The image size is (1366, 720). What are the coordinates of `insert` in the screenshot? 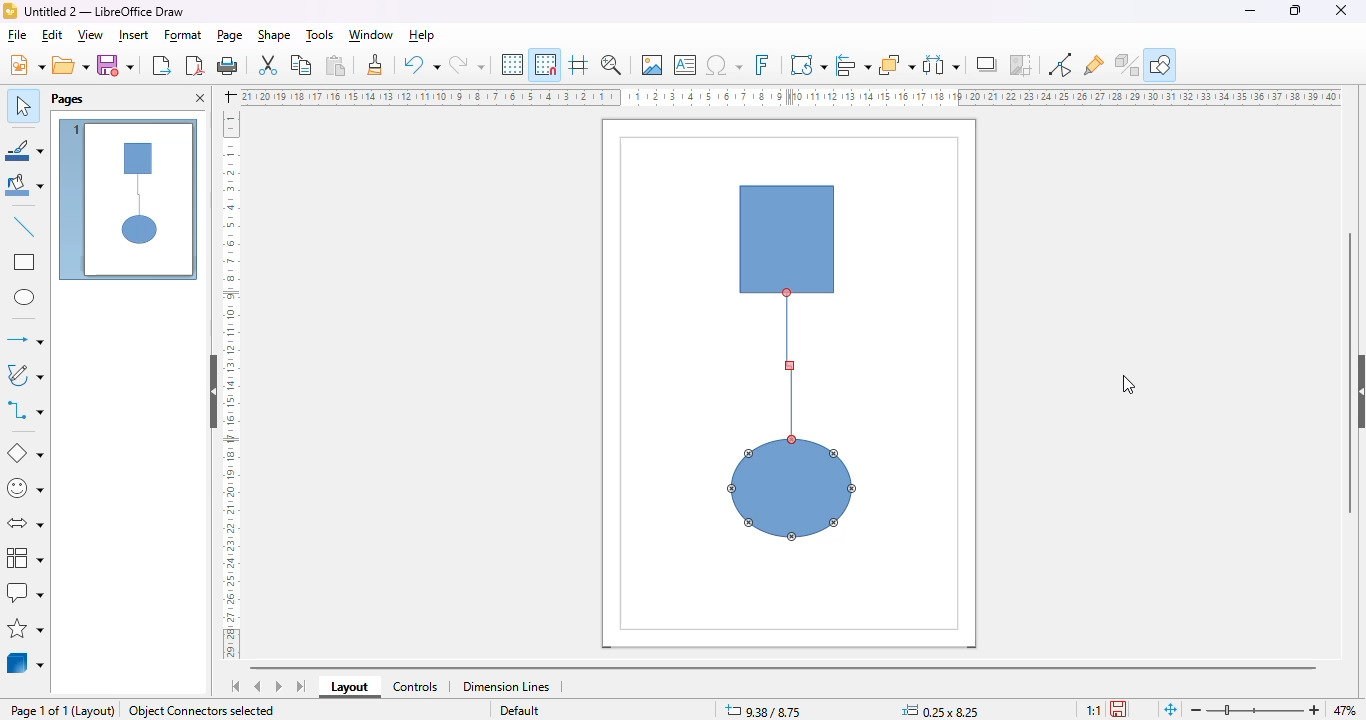 It's located at (133, 35).